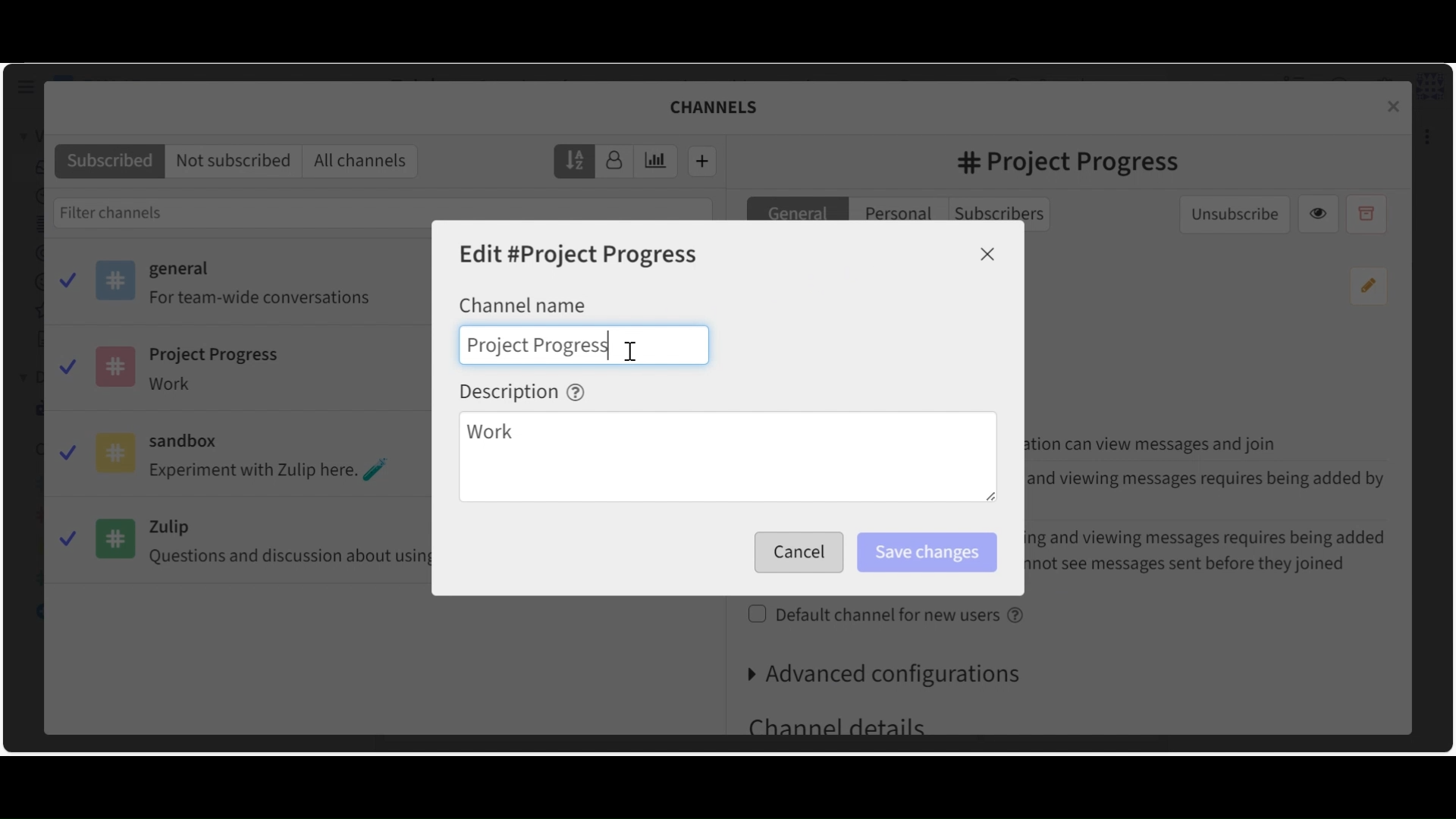 The image size is (1456, 819). What do you see at coordinates (926, 553) in the screenshot?
I see `Save Changes` at bounding box center [926, 553].